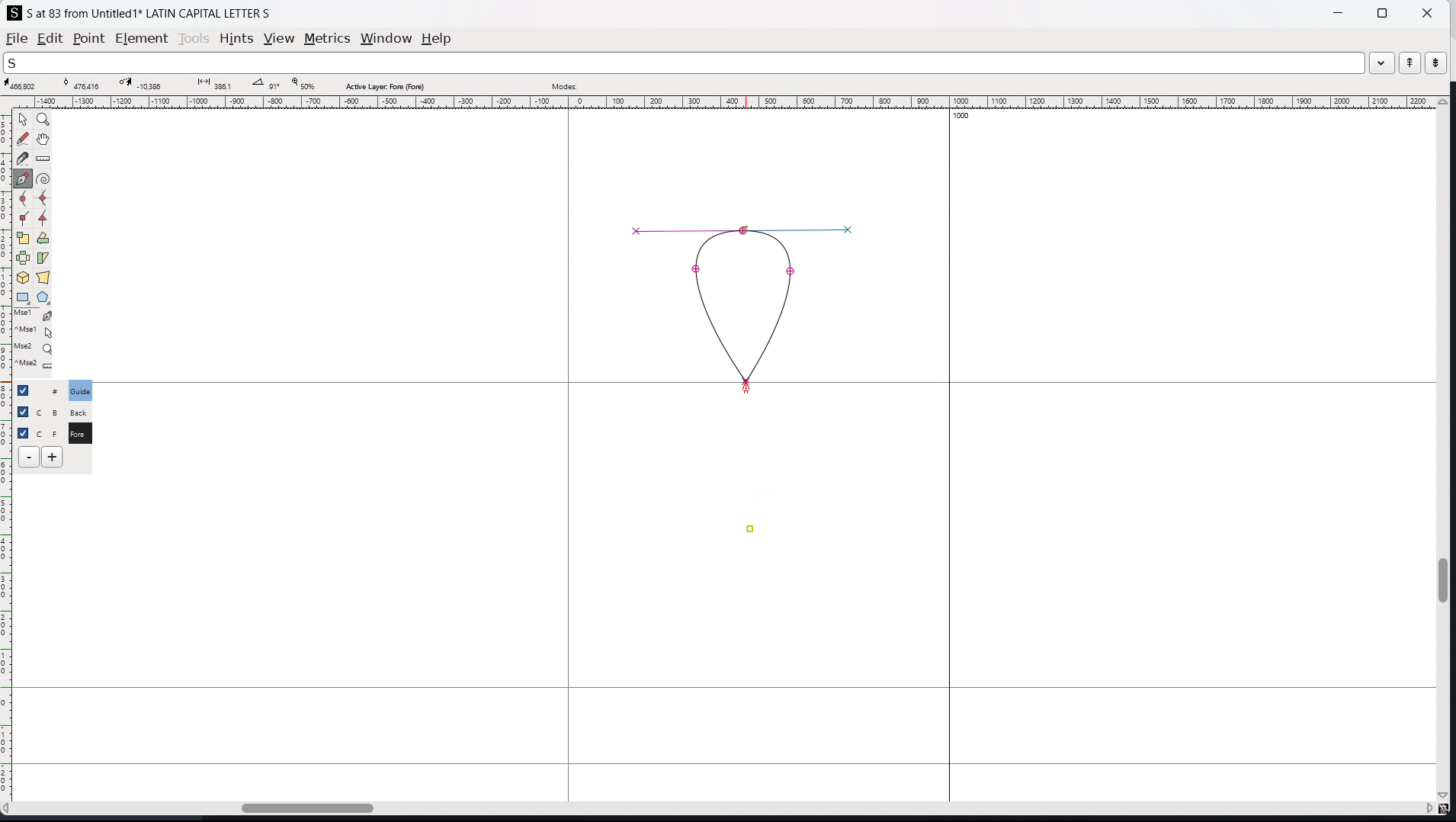 This screenshot has height=822, width=1456. Describe the element at coordinates (50, 38) in the screenshot. I see `edit` at that location.